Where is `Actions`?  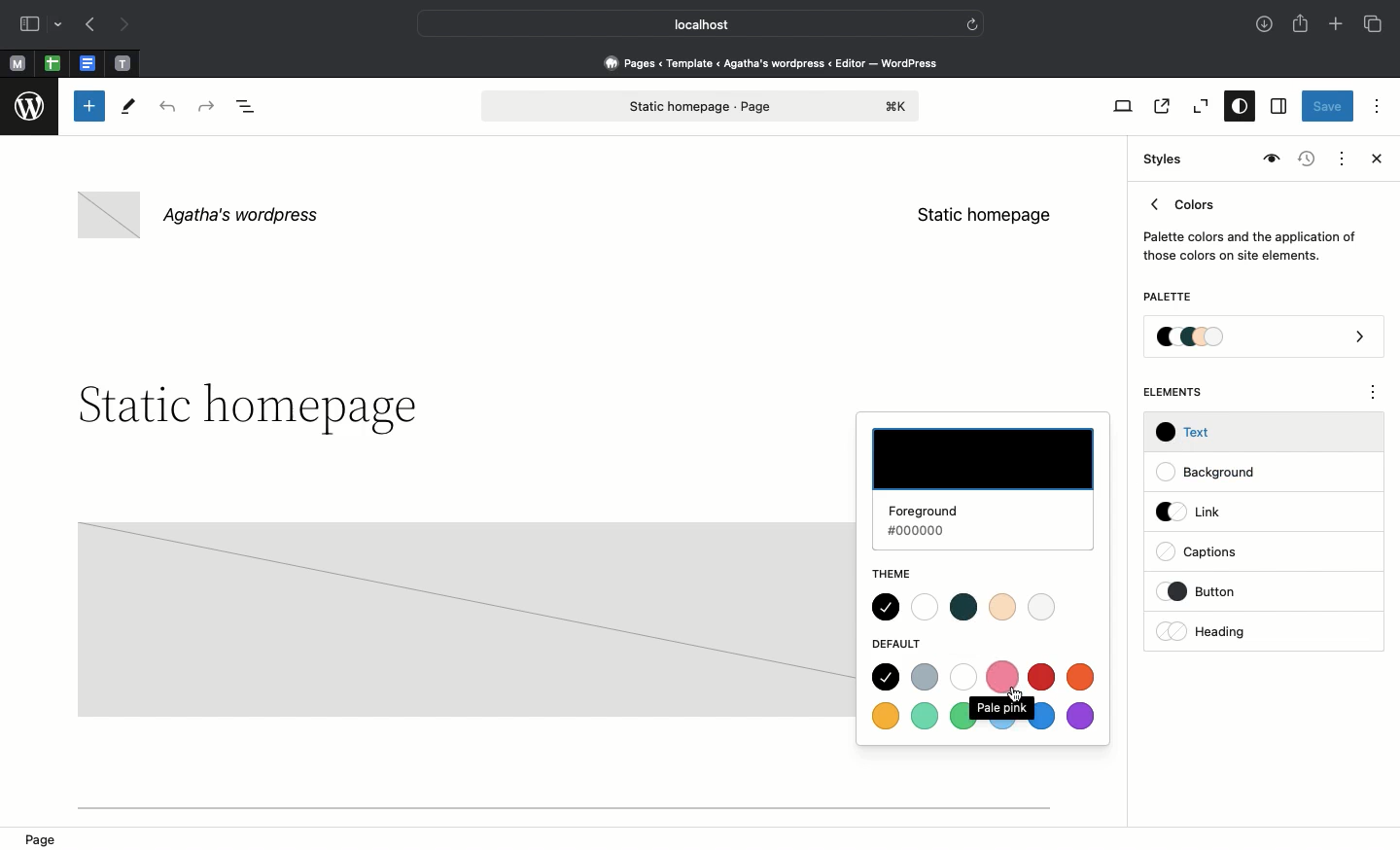 Actions is located at coordinates (1340, 157).